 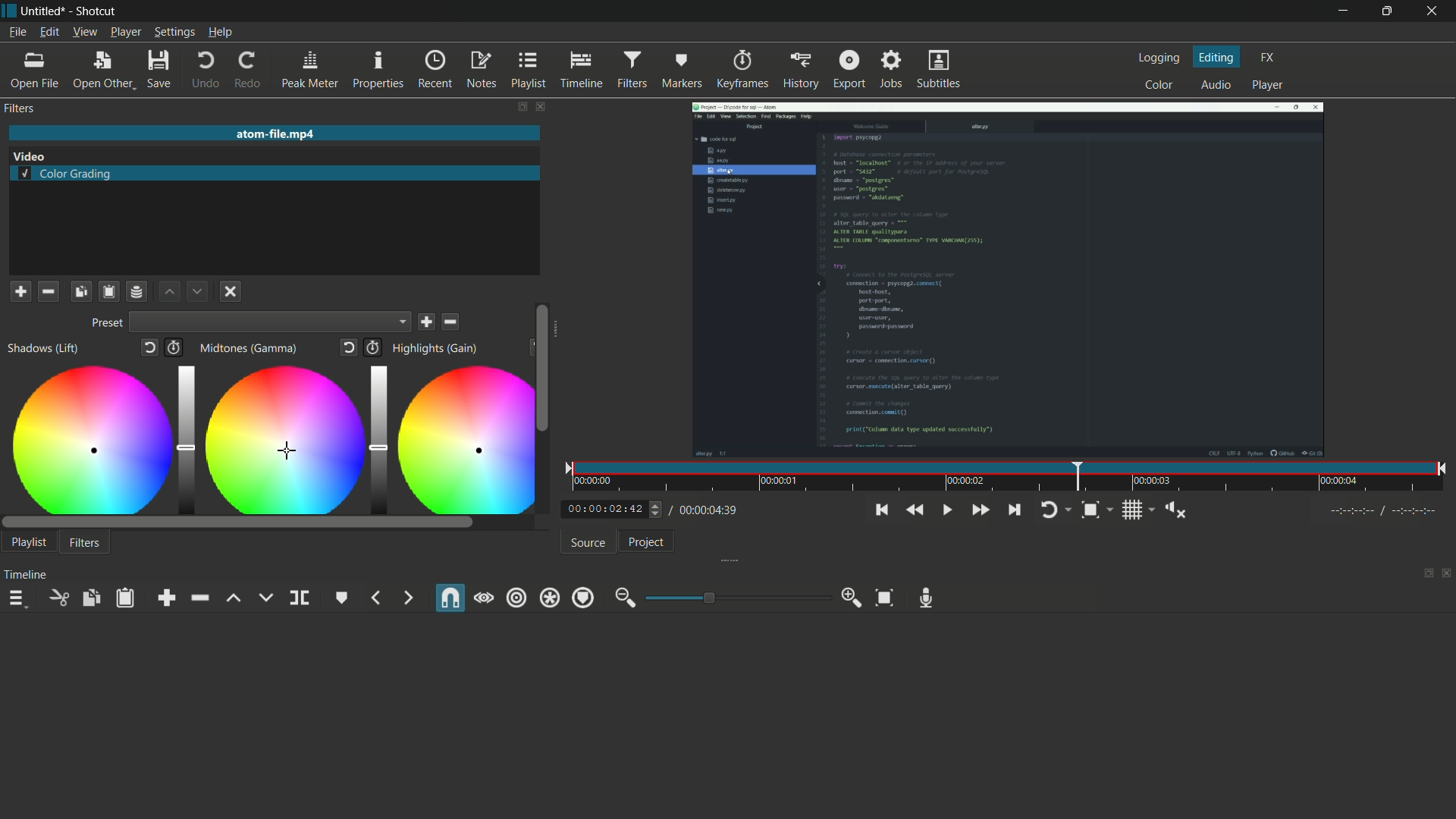 What do you see at coordinates (1159, 60) in the screenshot?
I see `logging` at bounding box center [1159, 60].